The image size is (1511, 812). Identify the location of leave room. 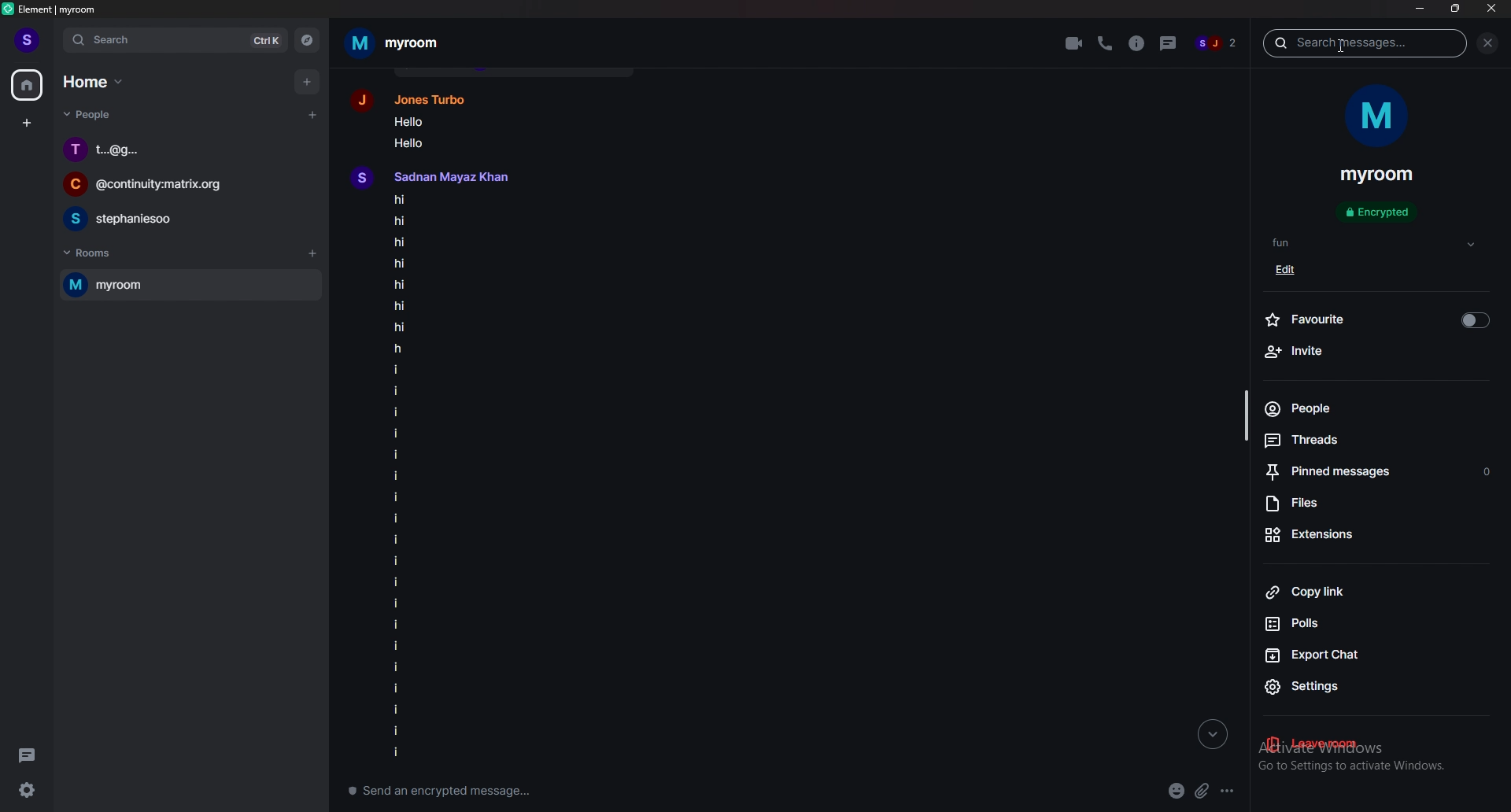
(1347, 746).